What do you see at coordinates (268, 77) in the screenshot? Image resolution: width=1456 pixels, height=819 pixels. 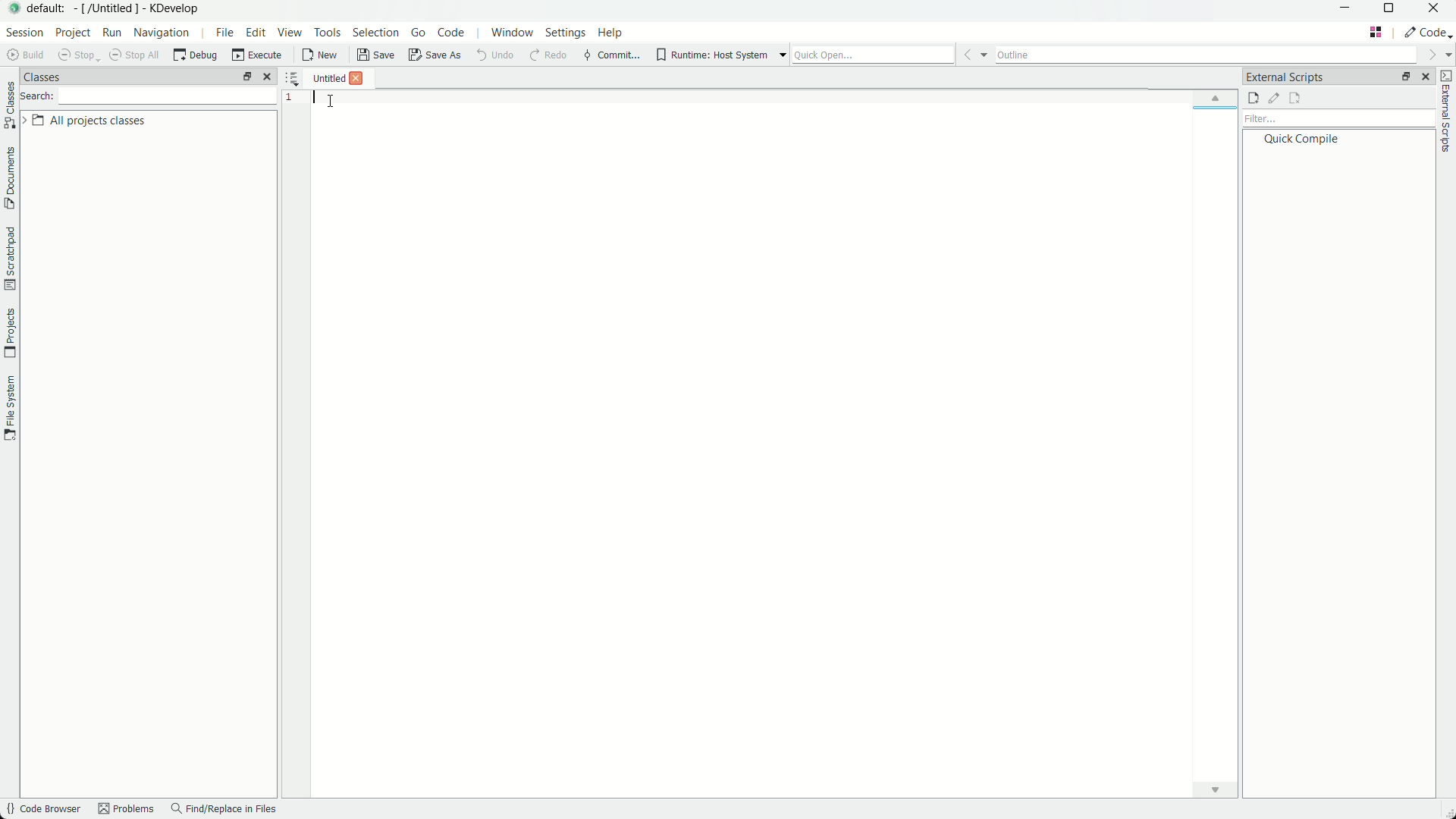 I see `close pane` at bounding box center [268, 77].